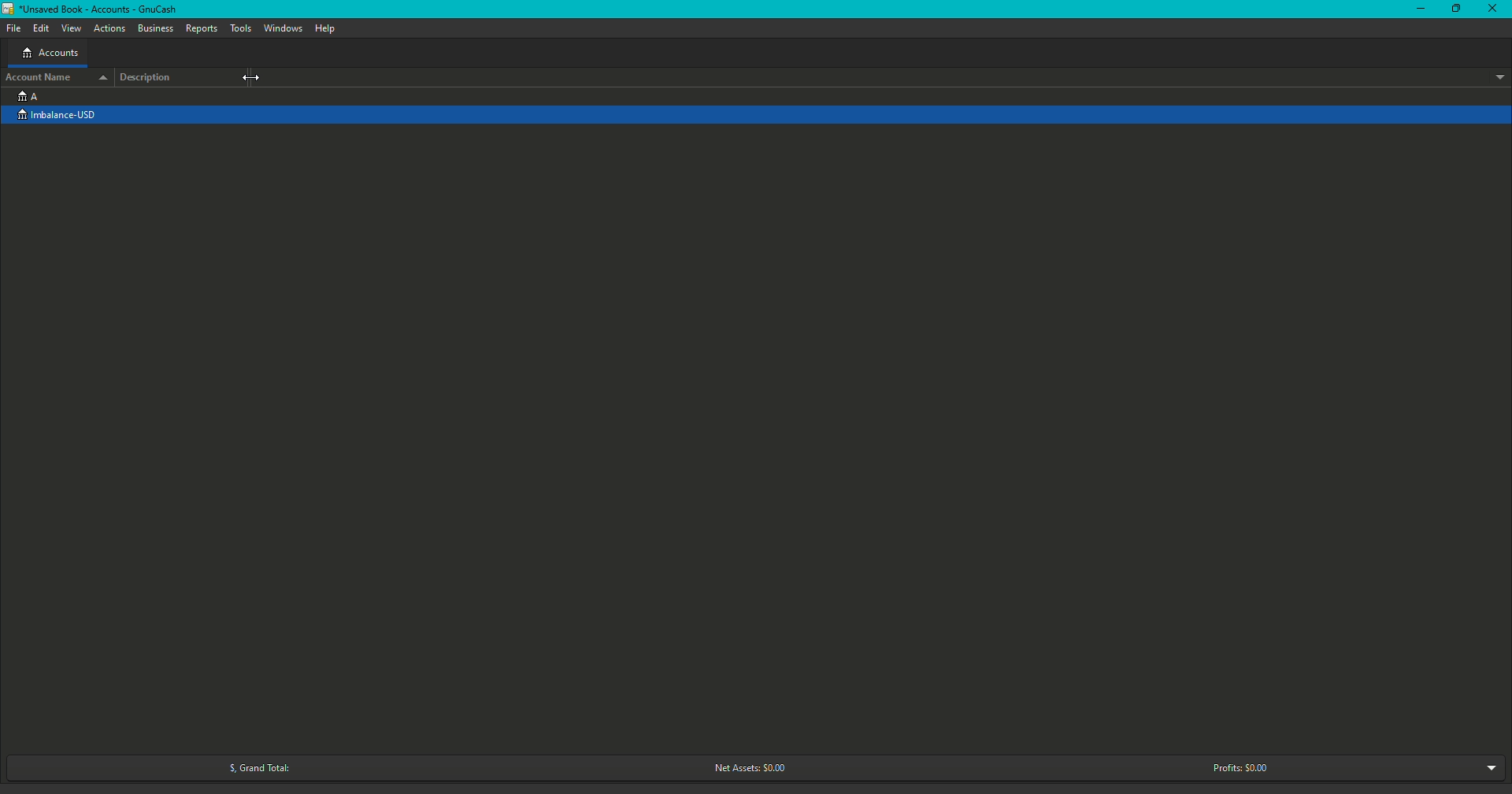 This screenshot has width=1512, height=794. Describe the element at coordinates (28, 95) in the screenshot. I see `Account A` at that location.